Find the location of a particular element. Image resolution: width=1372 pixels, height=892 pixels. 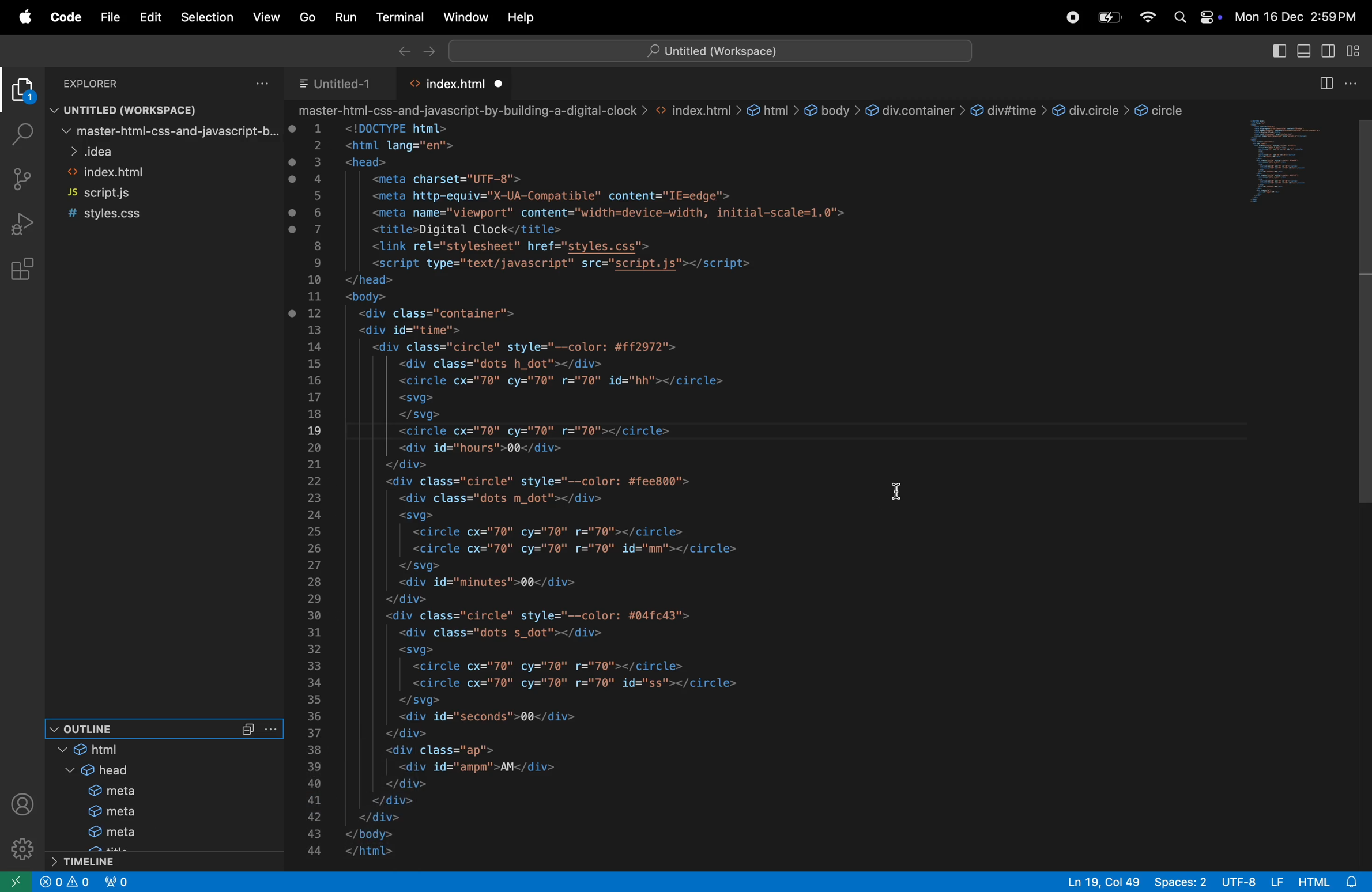

index.html is located at coordinates (455, 84).